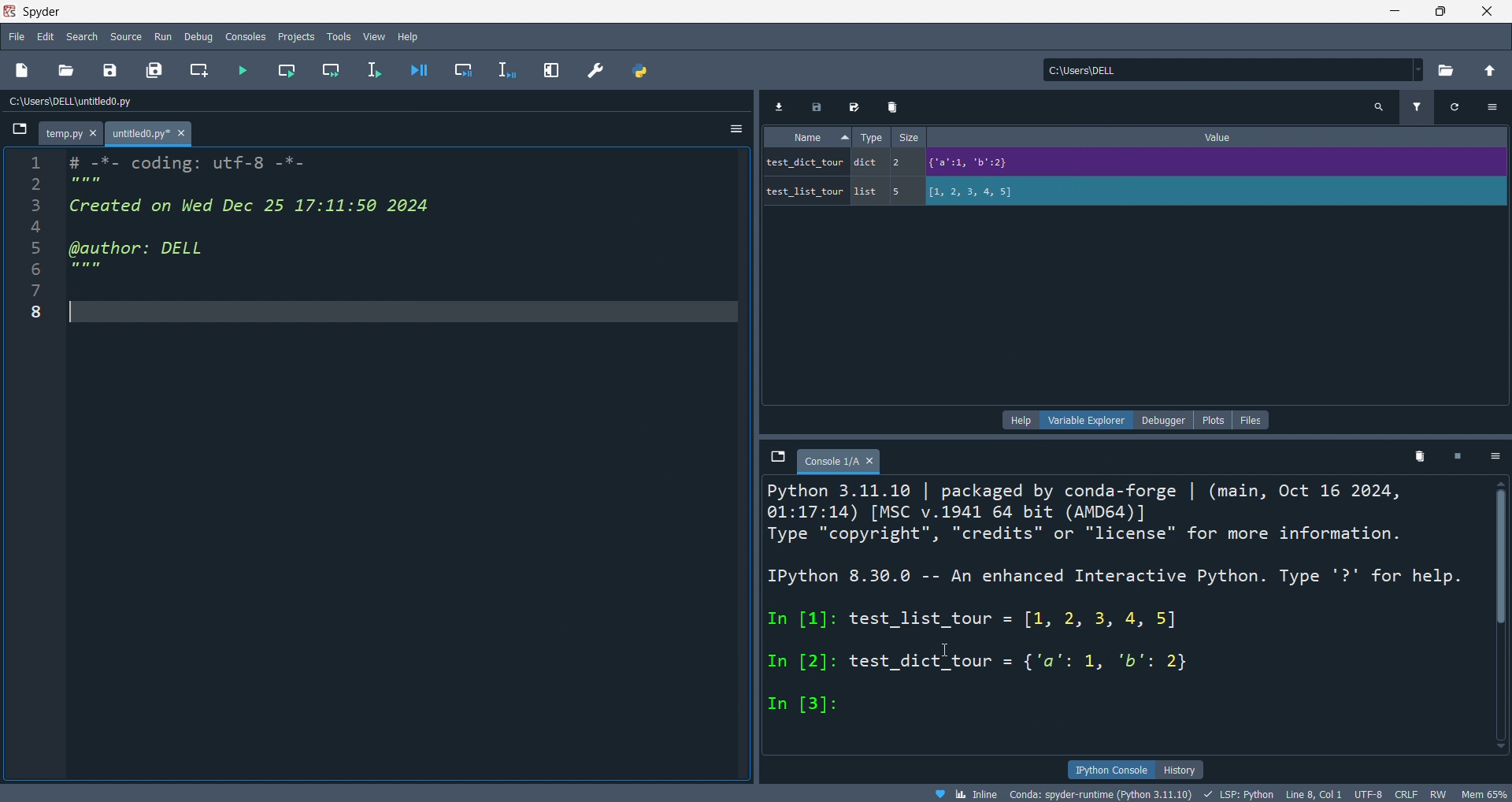  Describe the element at coordinates (1319, 793) in the screenshot. I see `Line 8, Col 1` at that location.